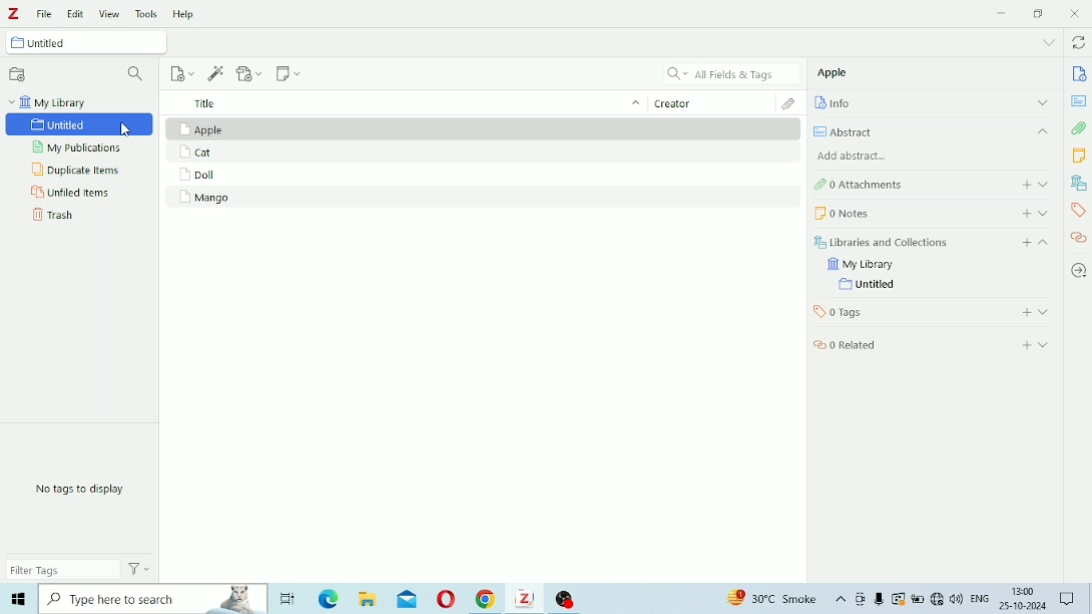 This screenshot has width=1092, height=614. I want to click on Filter Tags, so click(63, 571).